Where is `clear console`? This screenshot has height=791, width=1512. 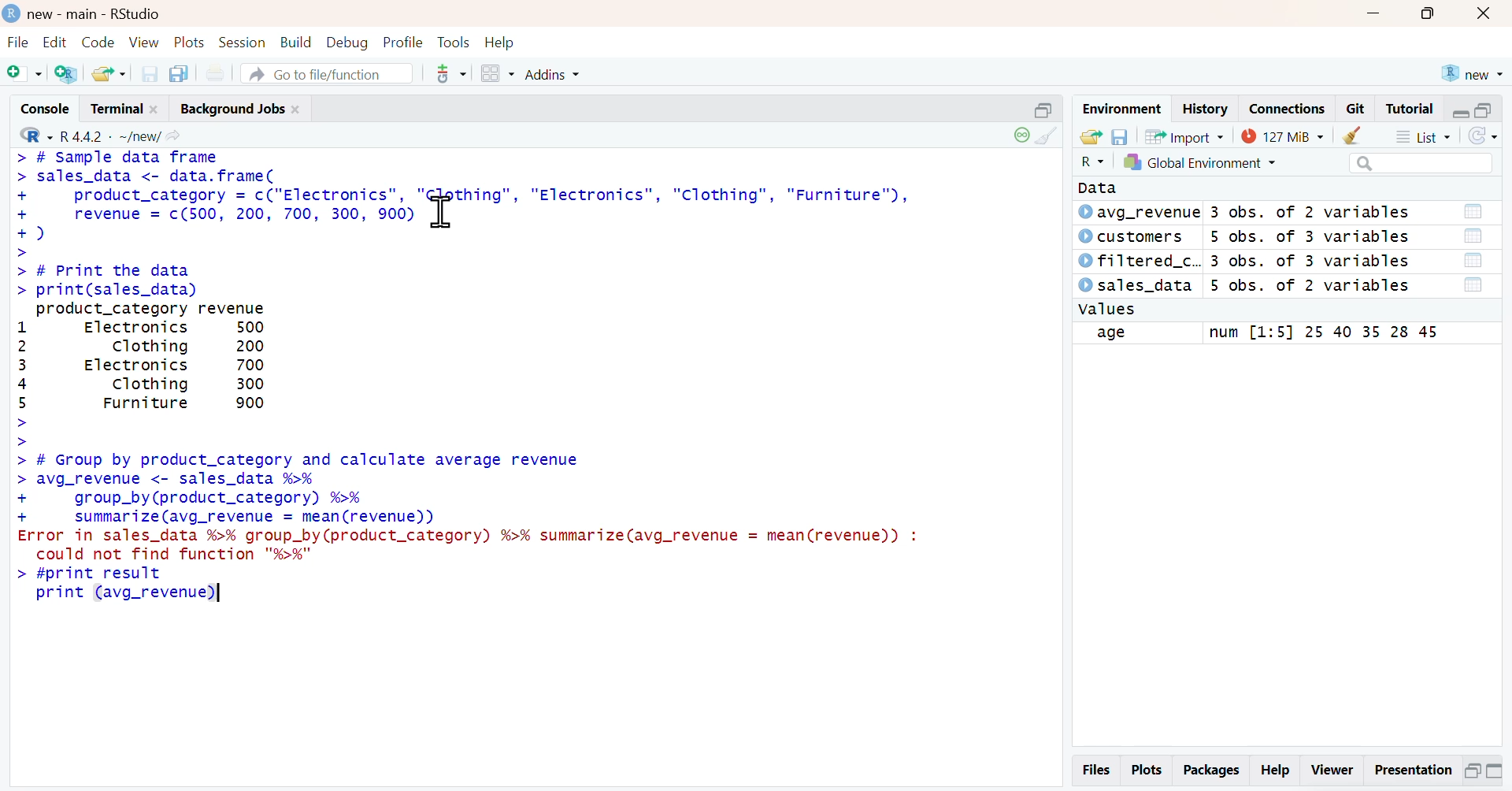 clear console is located at coordinates (1051, 136).